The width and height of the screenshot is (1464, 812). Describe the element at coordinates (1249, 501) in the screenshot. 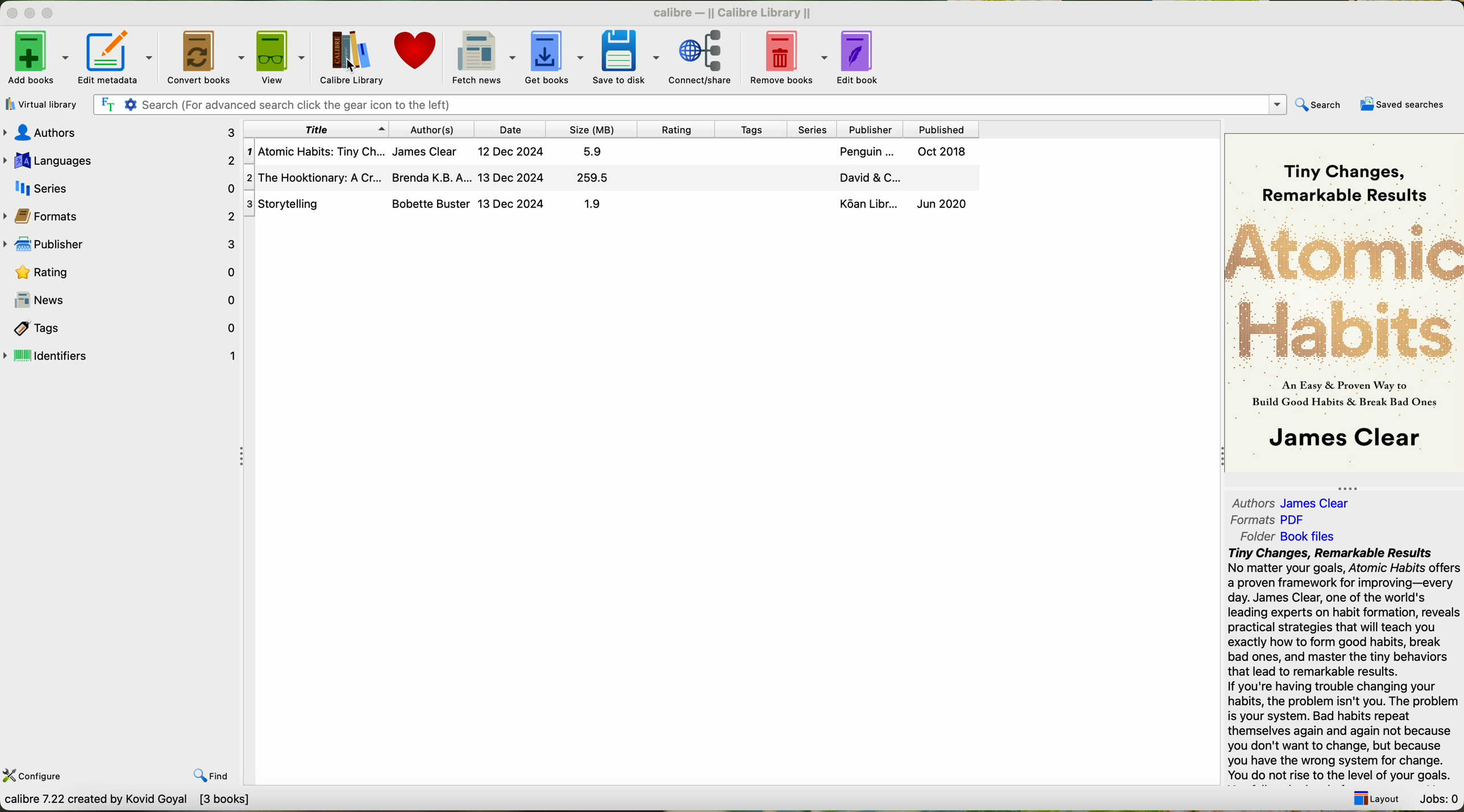

I see `authors` at that location.